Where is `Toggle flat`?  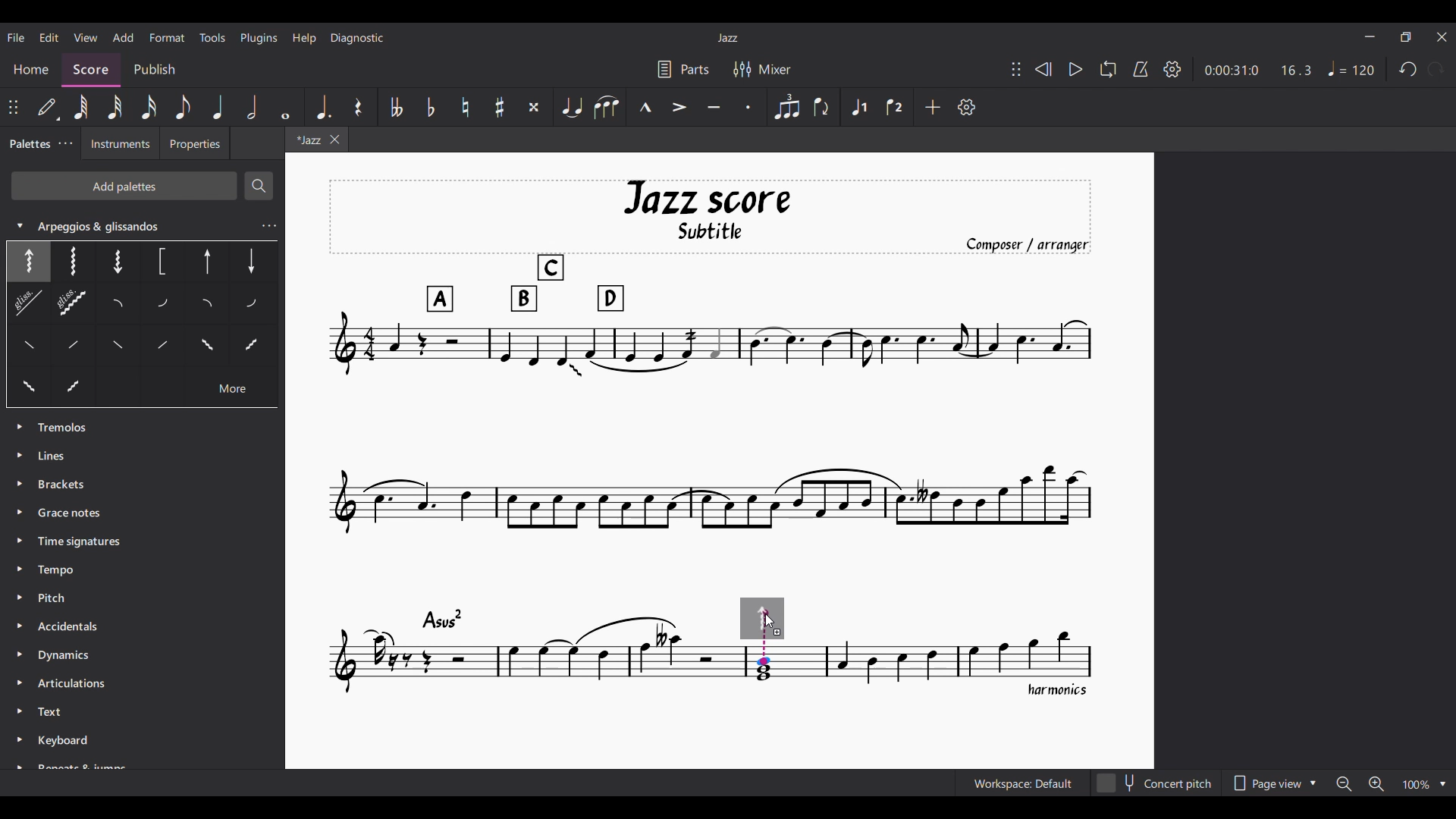
Toggle flat is located at coordinates (430, 108).